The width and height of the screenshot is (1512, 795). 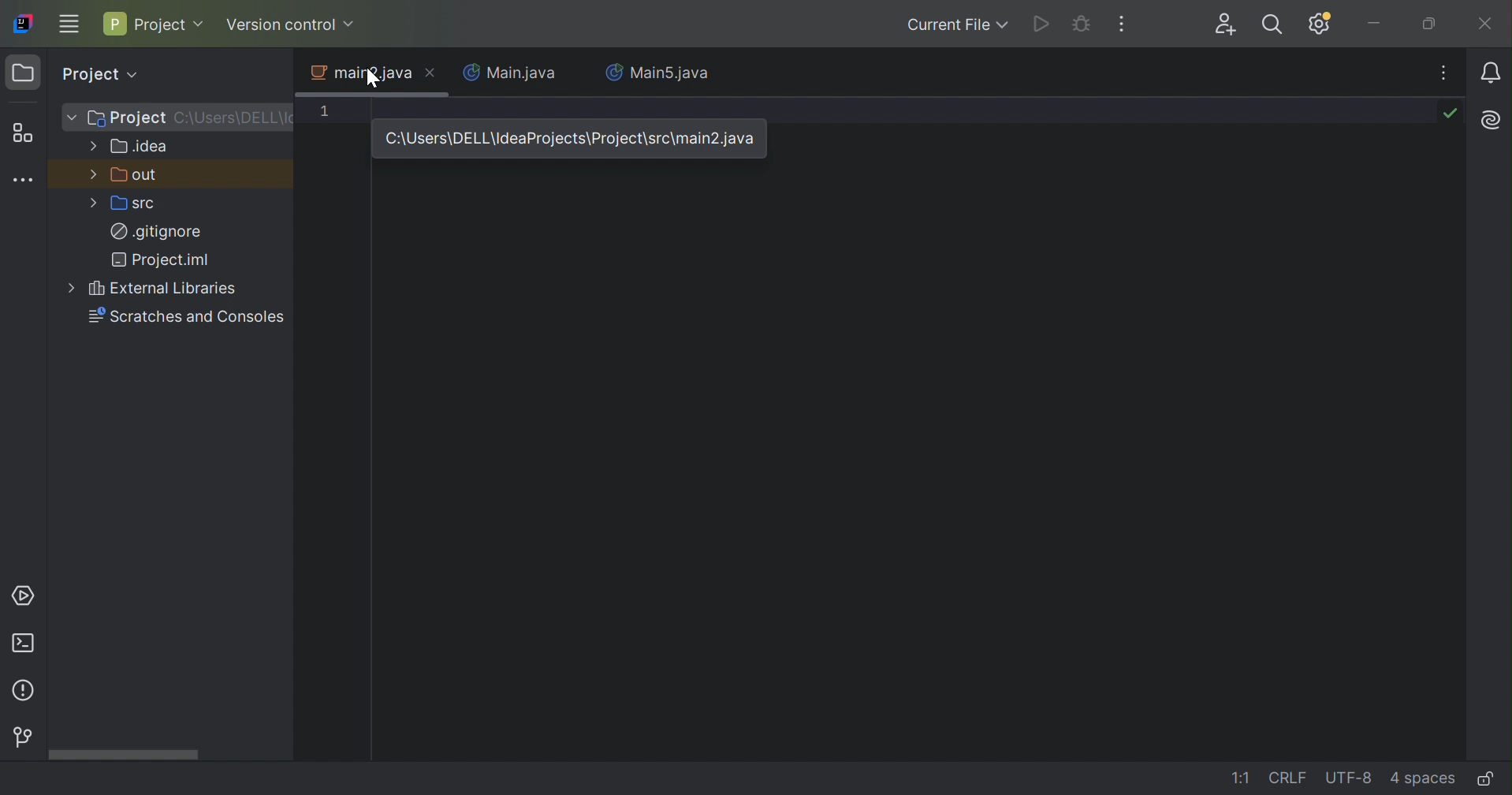 I want to click on Version control, so click(x=294, y=26).